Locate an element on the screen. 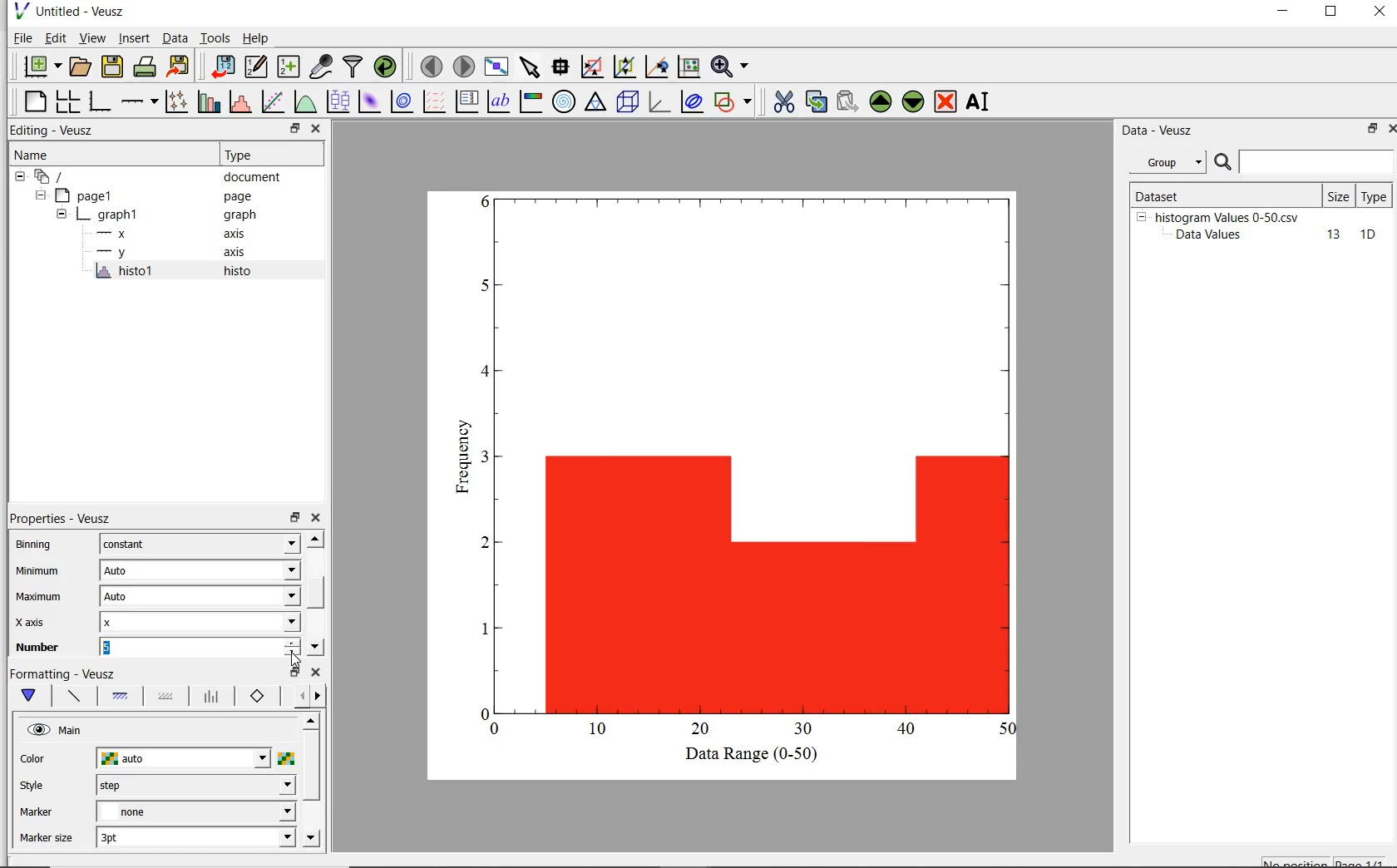 The image size is (1397, 868). Properties - Veusz is located at coordinates (59, 517).